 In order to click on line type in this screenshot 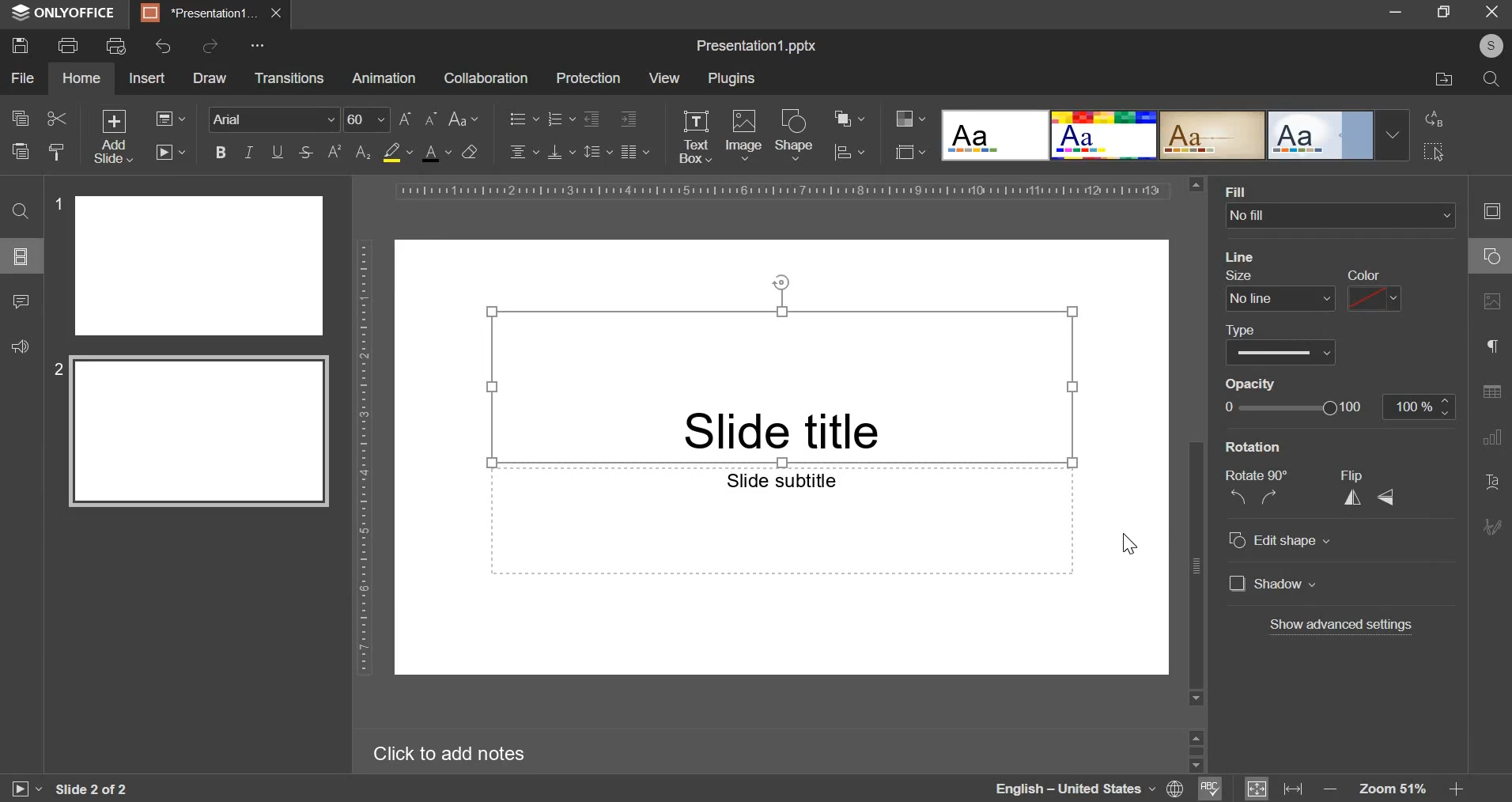, I will do `click(1280, 344)`.